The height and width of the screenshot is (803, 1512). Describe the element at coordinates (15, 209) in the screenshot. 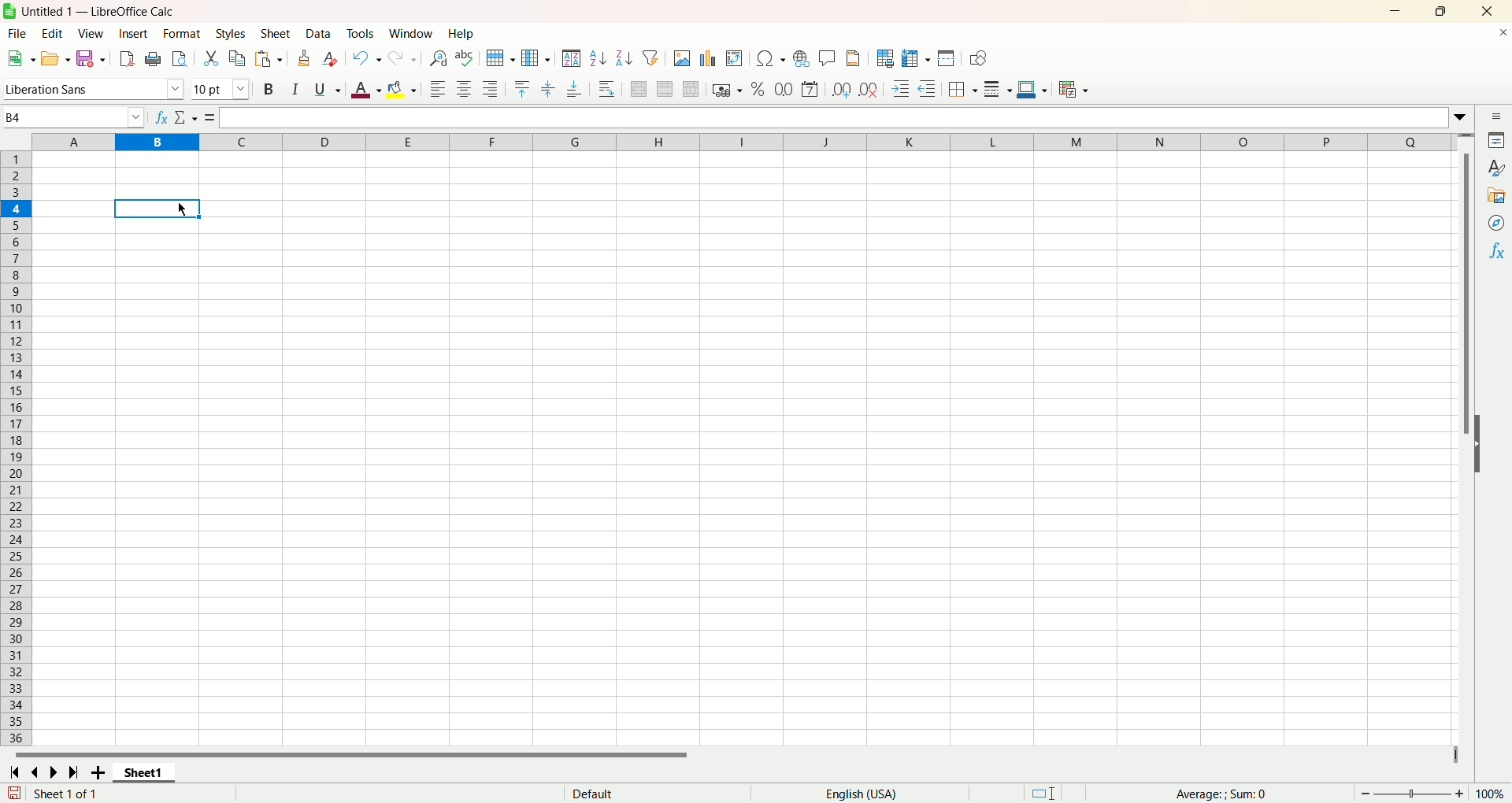

I see `active row` at that location.